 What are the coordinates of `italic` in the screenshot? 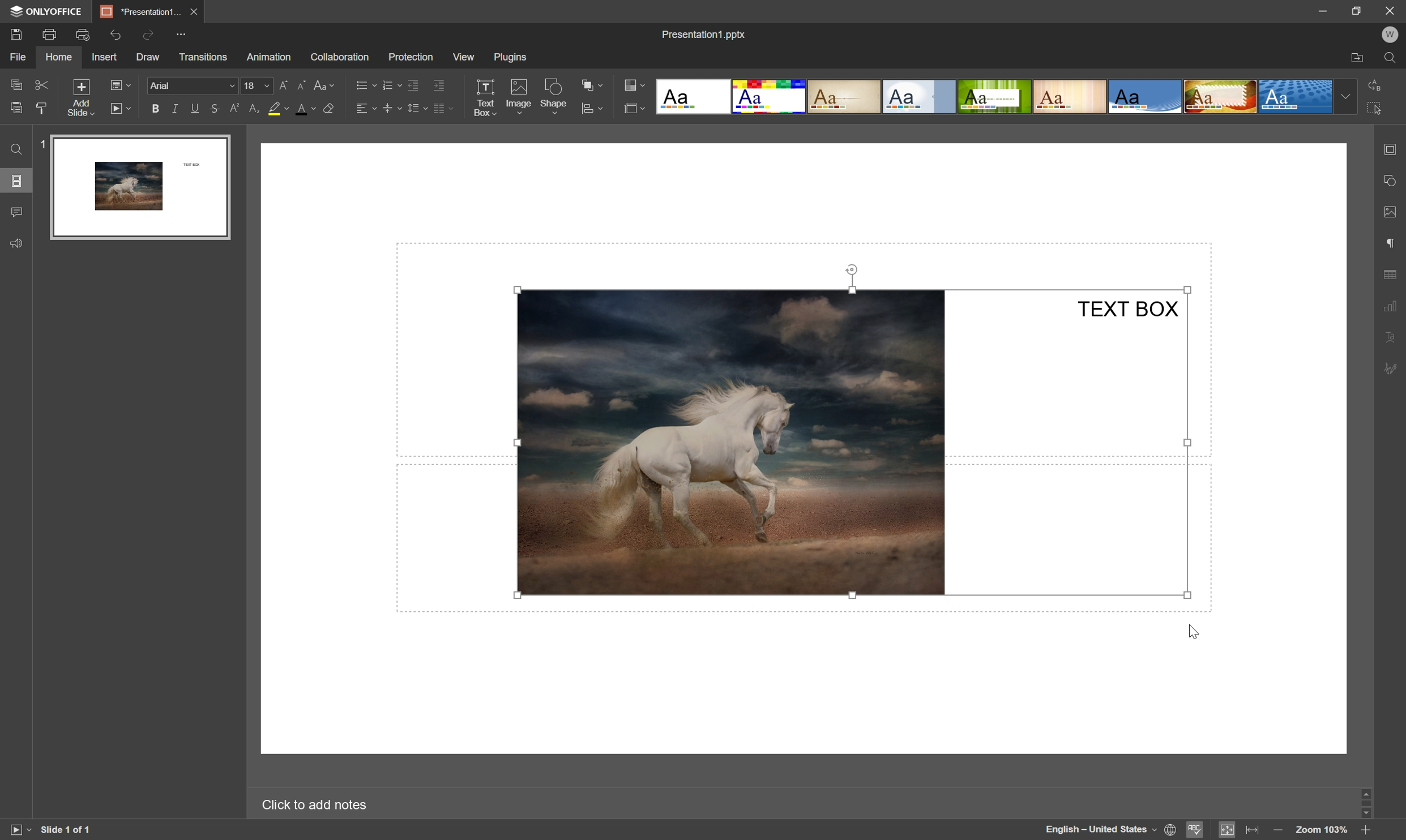 It's located at (175, 108).